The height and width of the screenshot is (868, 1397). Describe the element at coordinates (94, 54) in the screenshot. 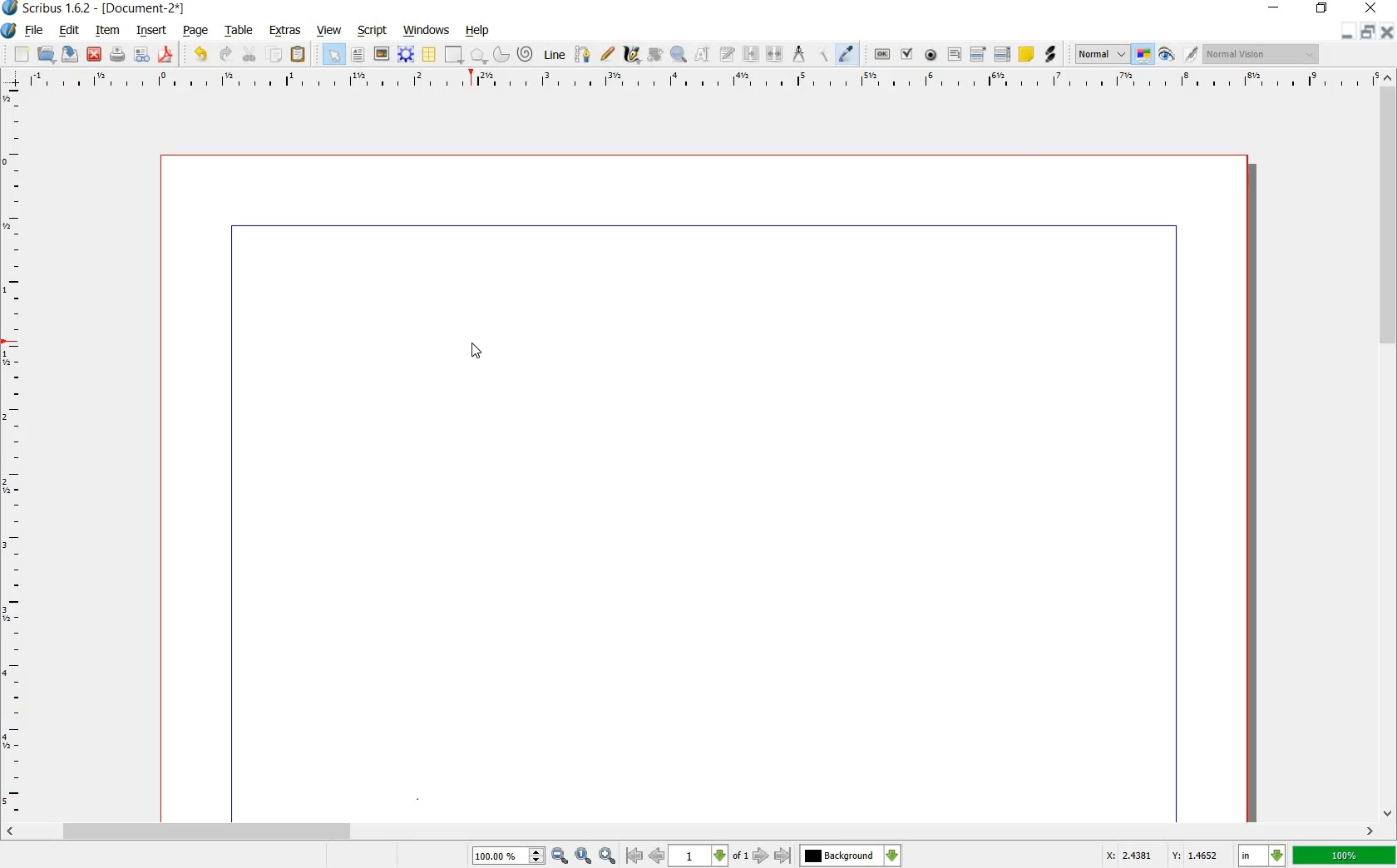

I see `CLOSE` at that location.